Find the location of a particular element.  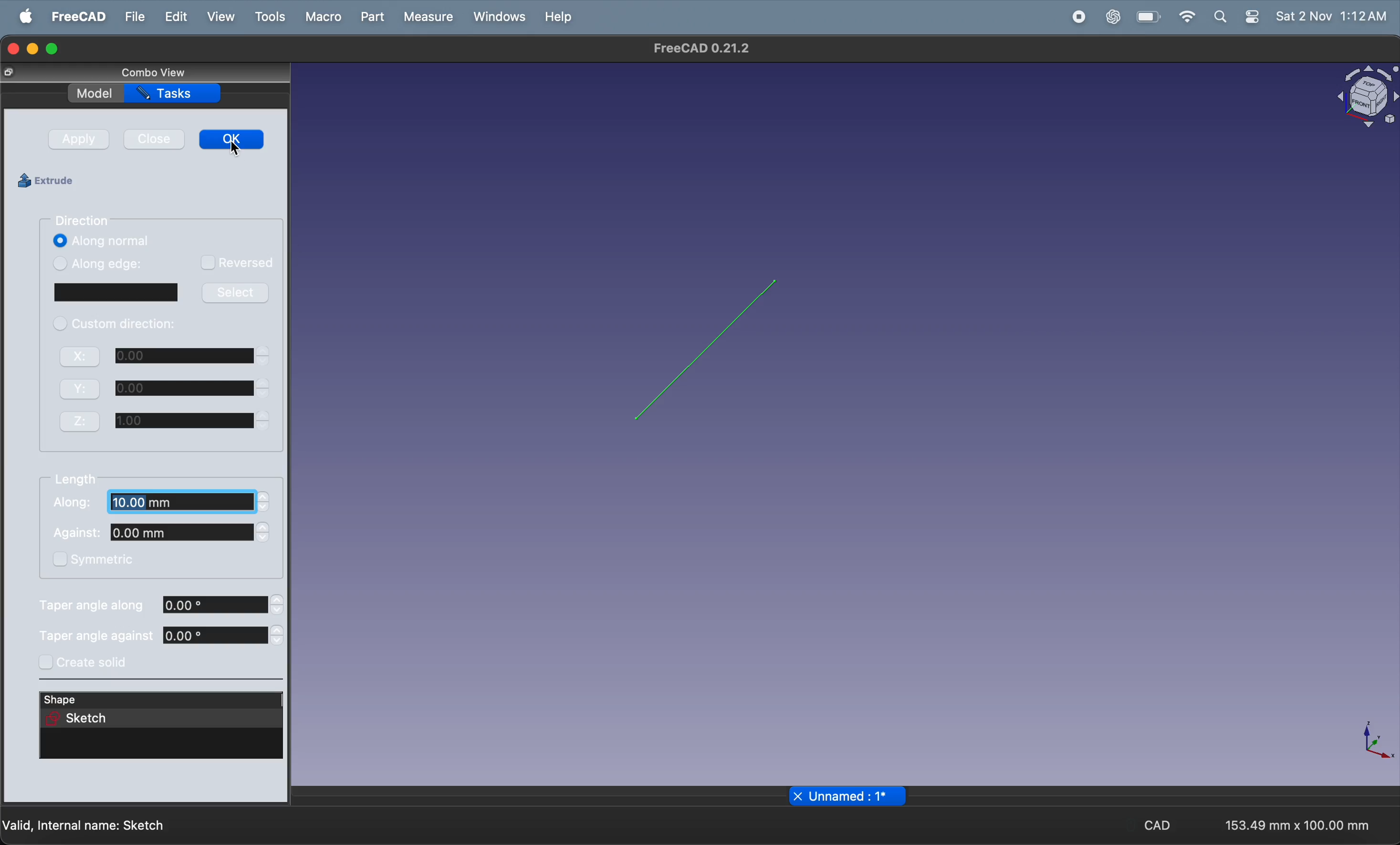

minimize is located at coordinates (33, 49).